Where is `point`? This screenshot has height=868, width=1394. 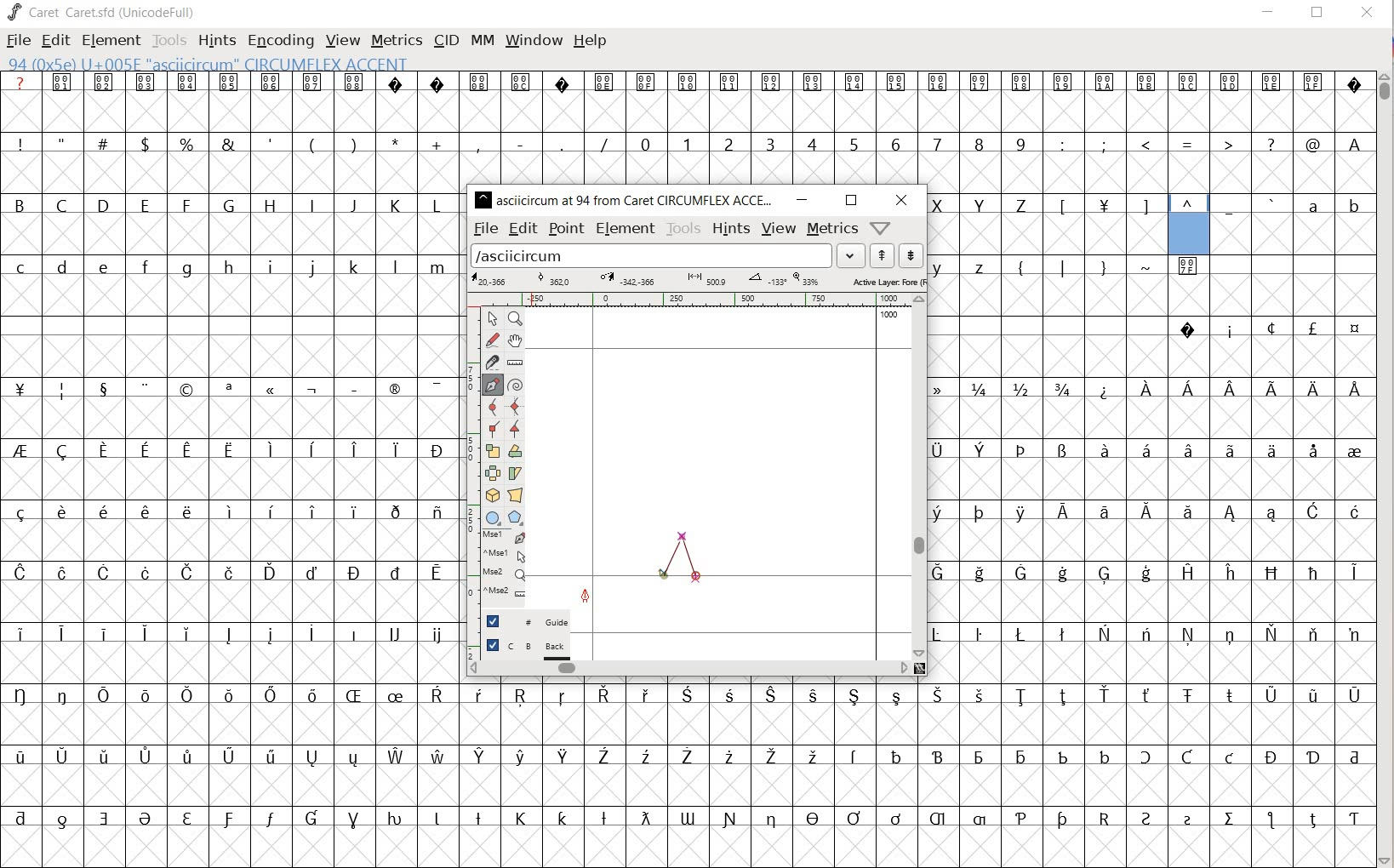 point is located at coordinates (566, 227).